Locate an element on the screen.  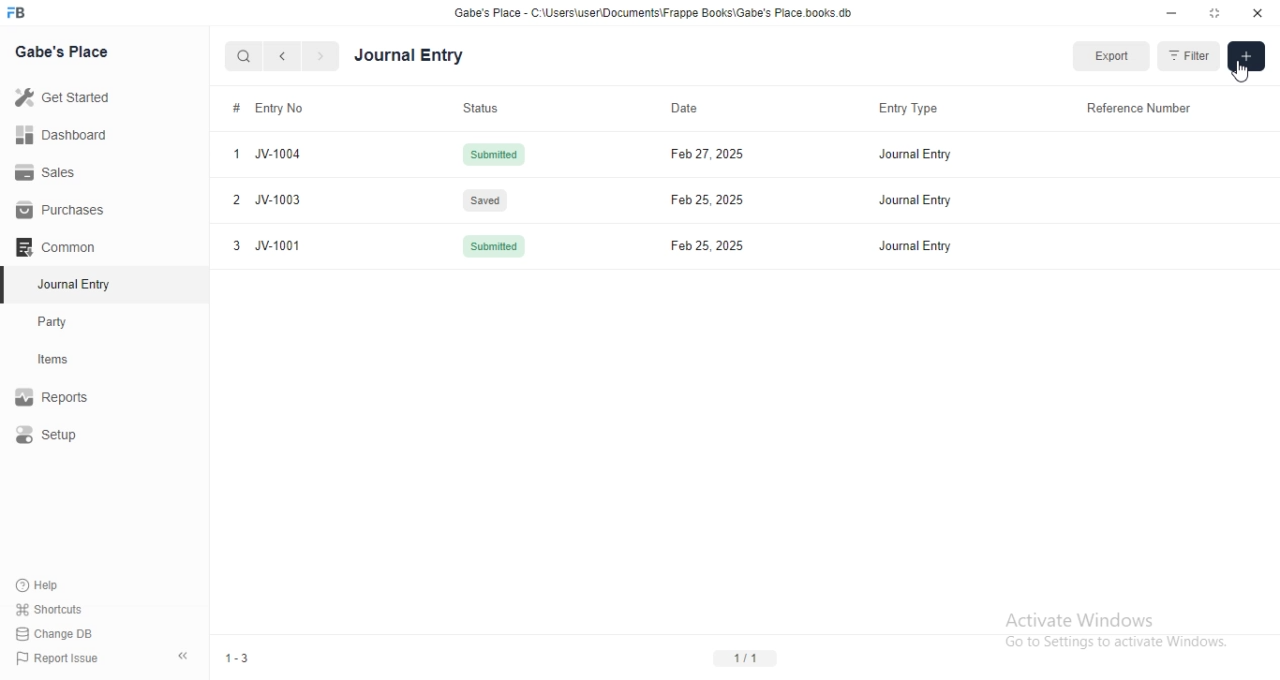
Get Started is located at coordinates (67, 97).